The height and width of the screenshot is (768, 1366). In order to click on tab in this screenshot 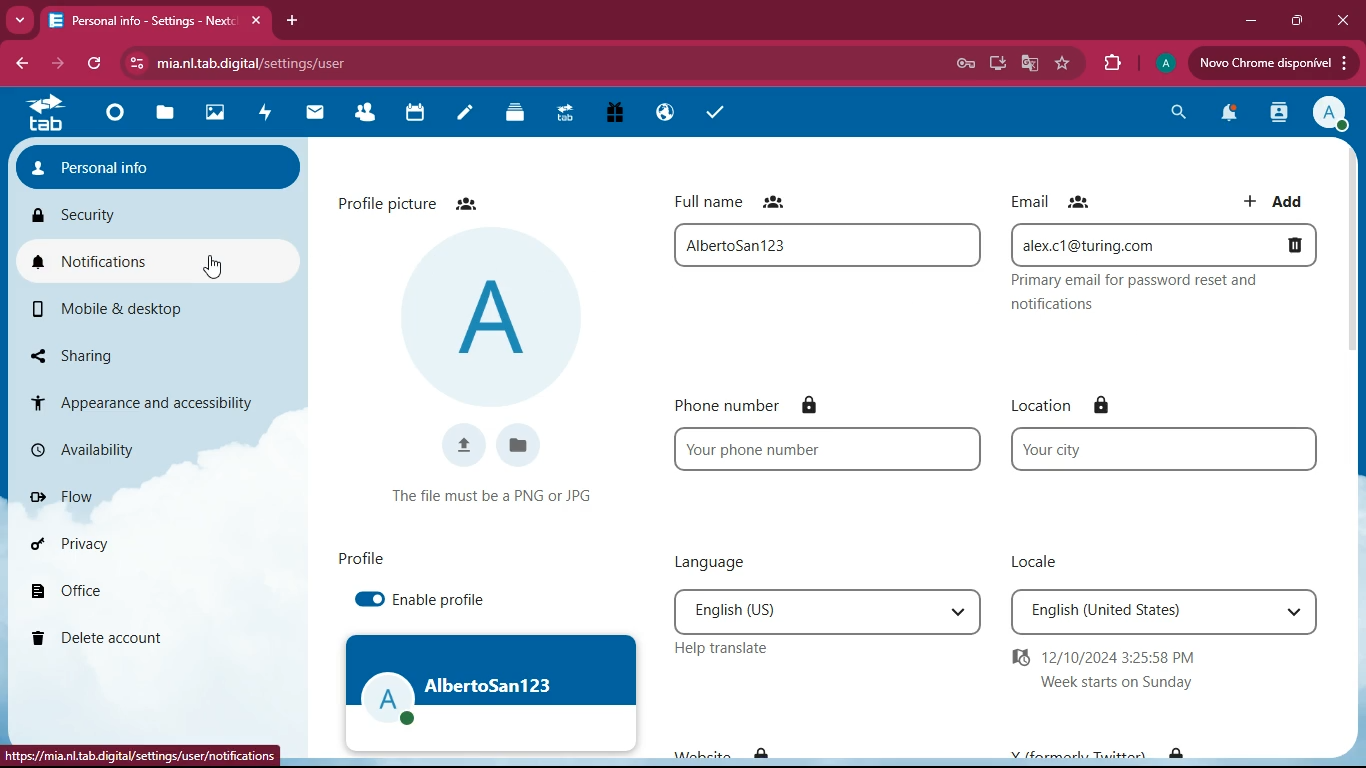, I will do `click(50, 117)`.